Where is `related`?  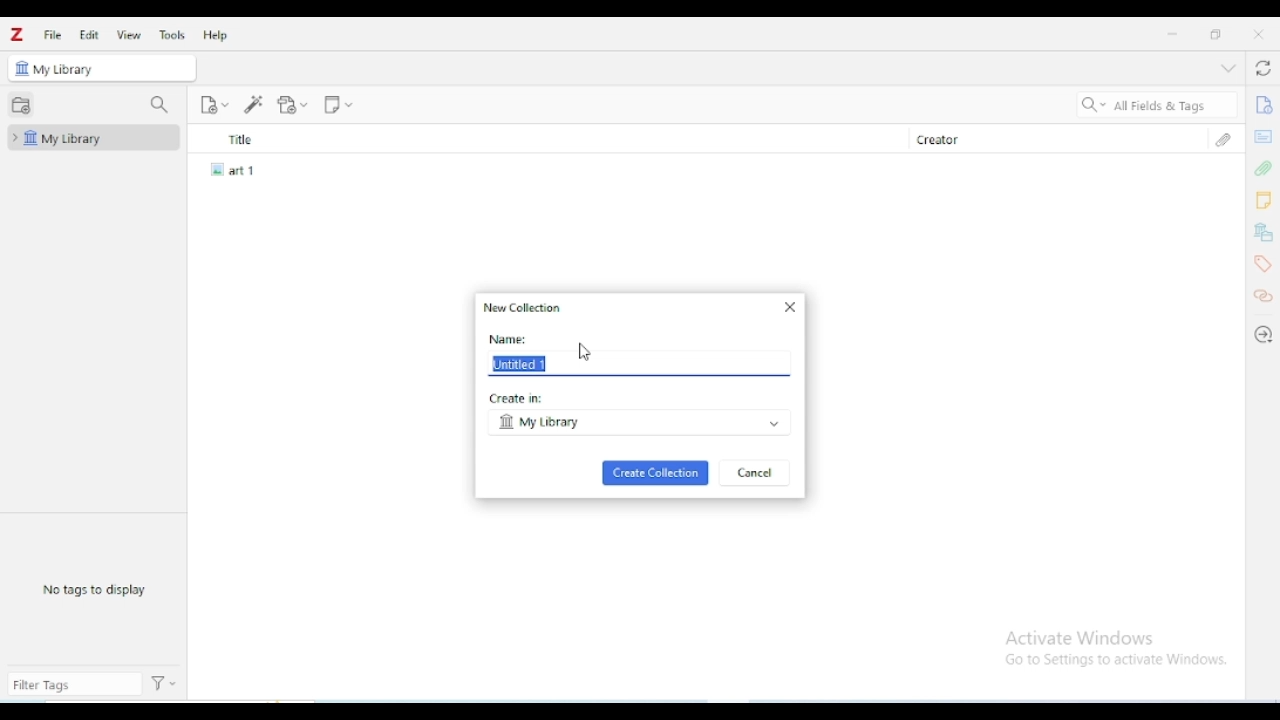 related is located at coordinates (1263, 296).